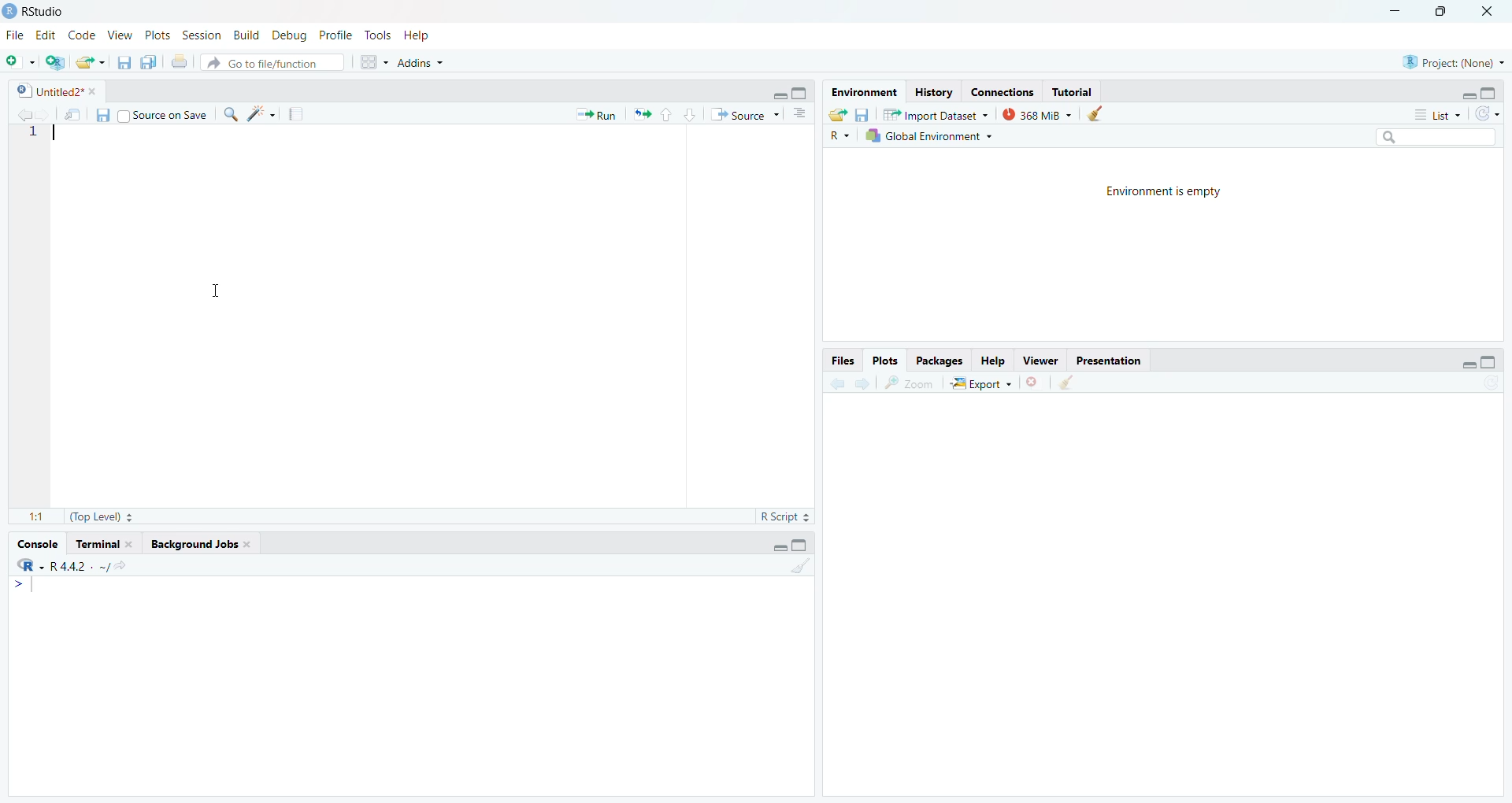  What do you see at coordinates (1467, 364) in the screenshot?
I see `minimise` at bounding box center [1467, 364].